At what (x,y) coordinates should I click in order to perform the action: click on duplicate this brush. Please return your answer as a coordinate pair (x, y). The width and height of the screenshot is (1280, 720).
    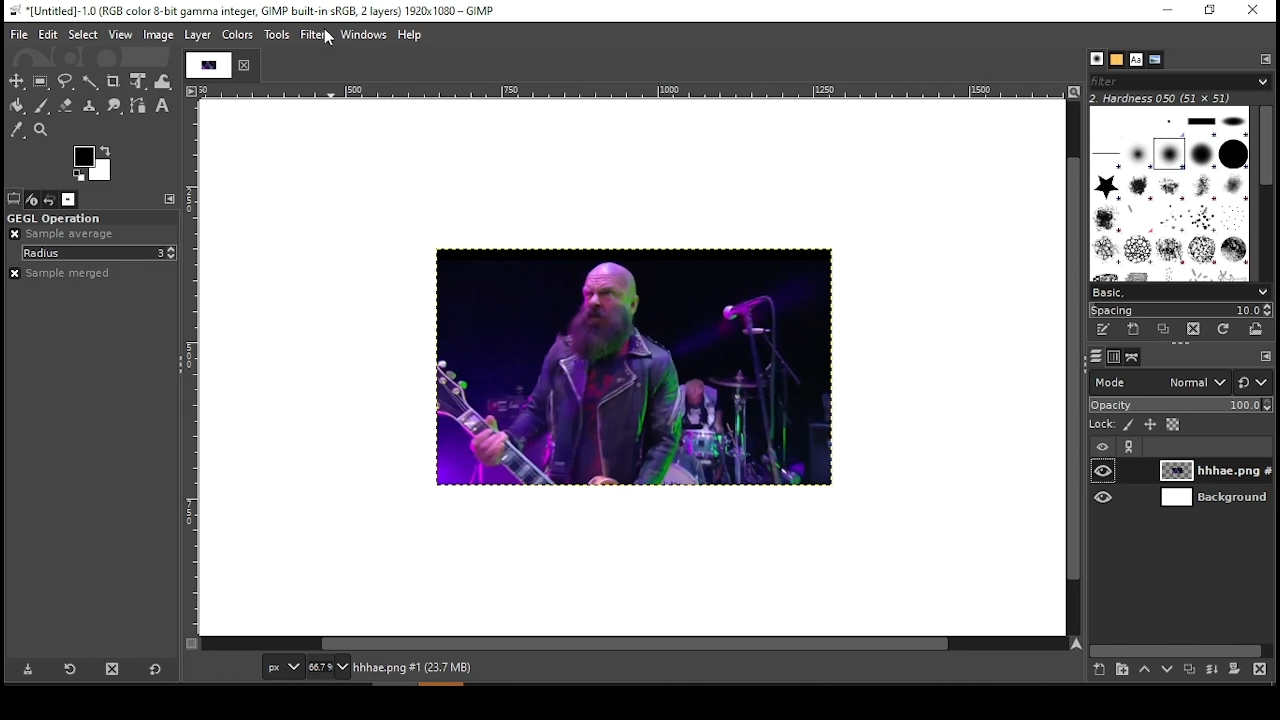
    Looking at the image, I should click on (1166, 330).